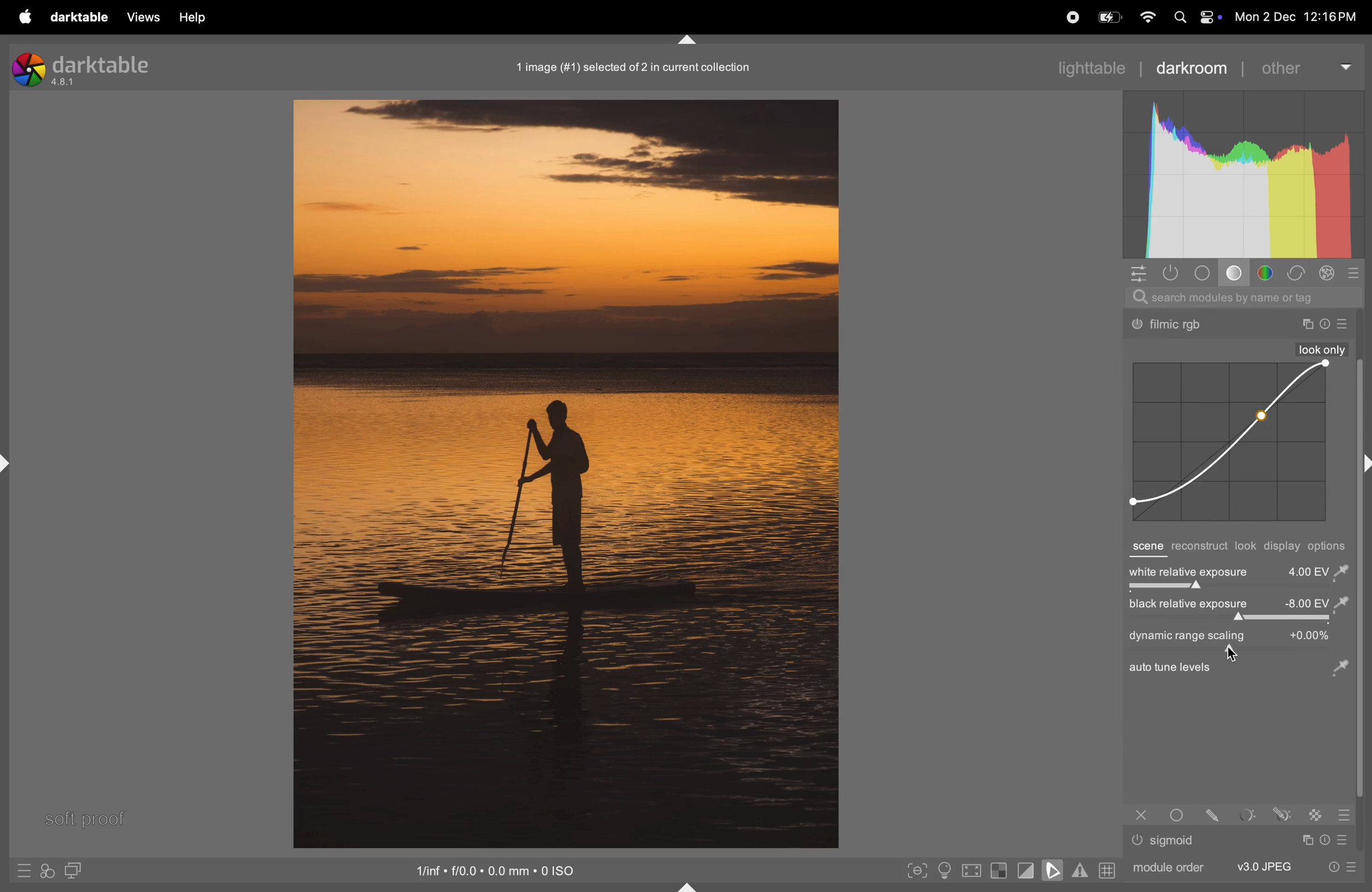 The image size is (1372, 892). What do you see at coordinates (948, 871) in the screenshot?
I see `toggle iso` at bounding box center [948, 871].